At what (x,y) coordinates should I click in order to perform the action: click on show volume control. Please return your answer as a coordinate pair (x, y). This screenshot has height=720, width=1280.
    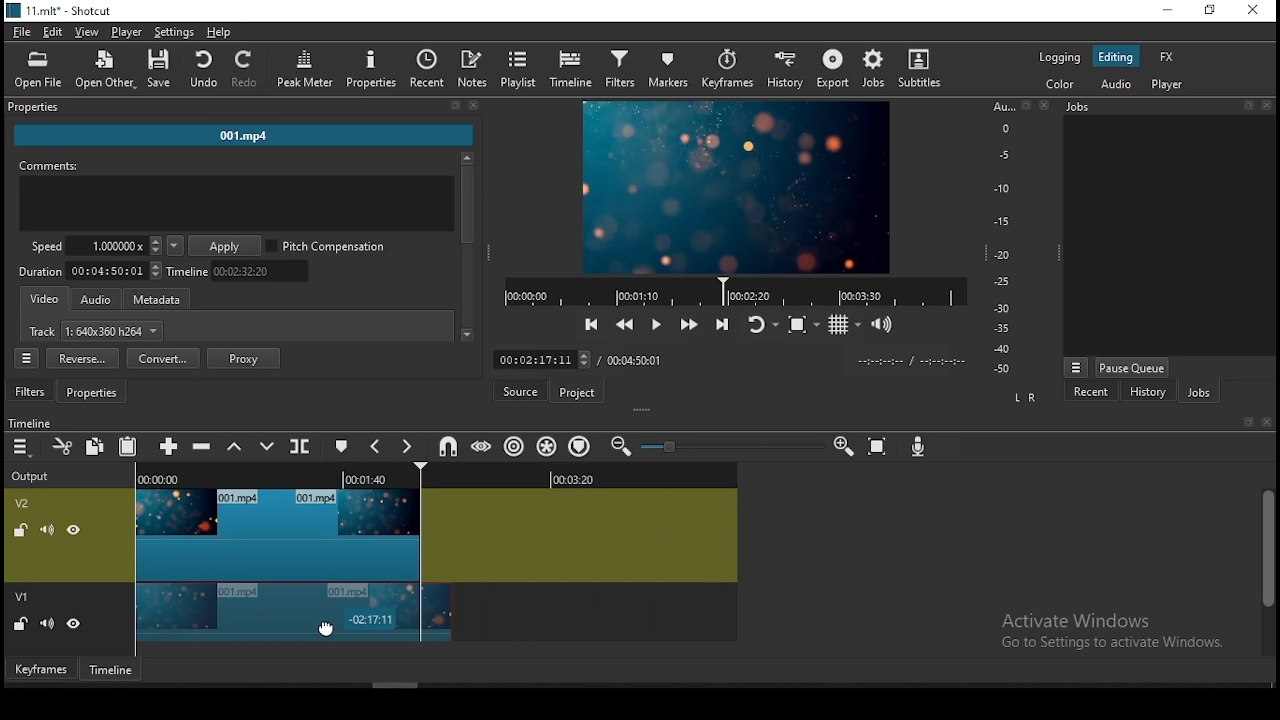
    Looking at the image, I should click on (883, 327).